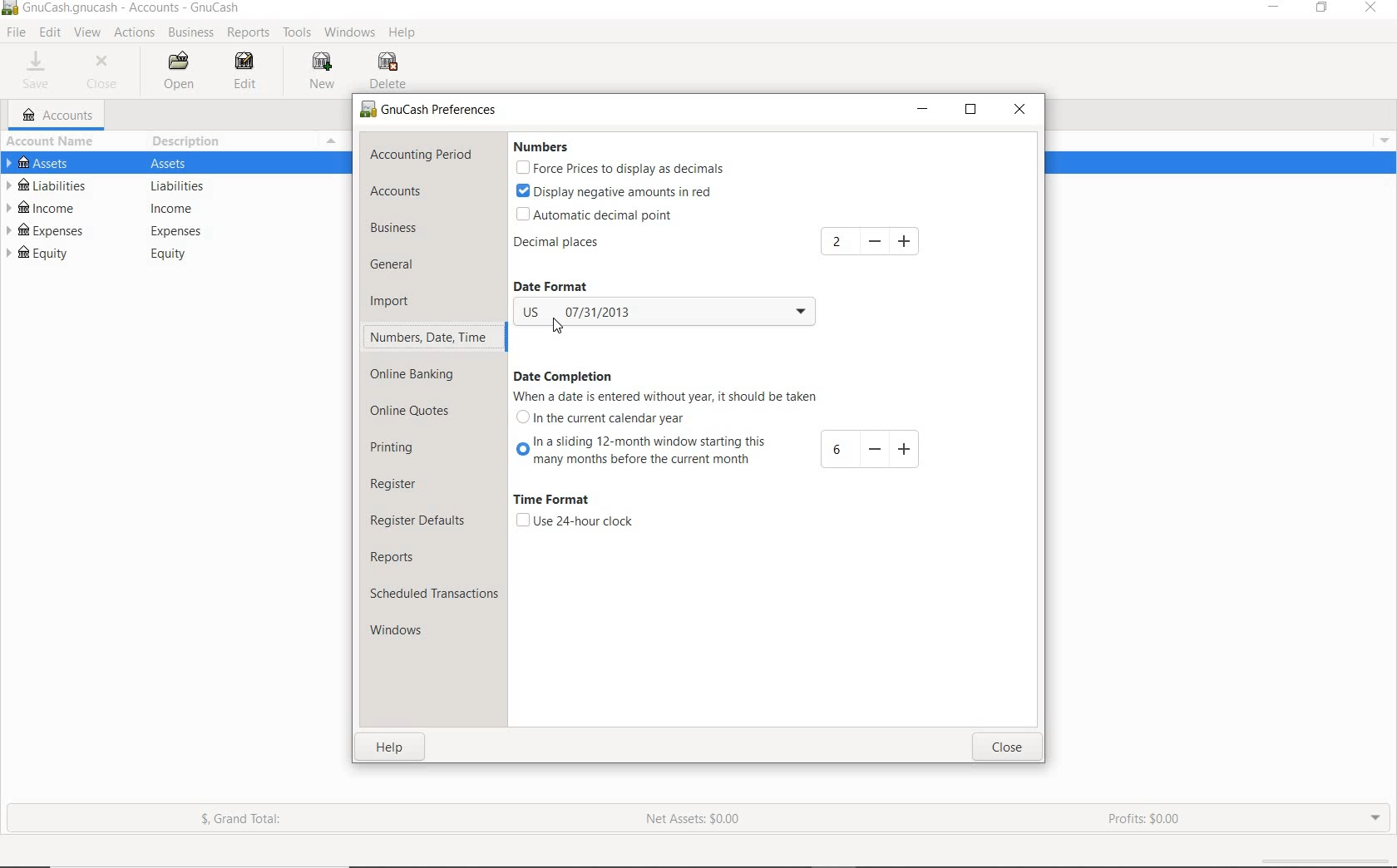 The image size is (1397, 868). Describe the element at coordinates (1276, 9) in the screenshot. I see `MINIMIZE` at that location.